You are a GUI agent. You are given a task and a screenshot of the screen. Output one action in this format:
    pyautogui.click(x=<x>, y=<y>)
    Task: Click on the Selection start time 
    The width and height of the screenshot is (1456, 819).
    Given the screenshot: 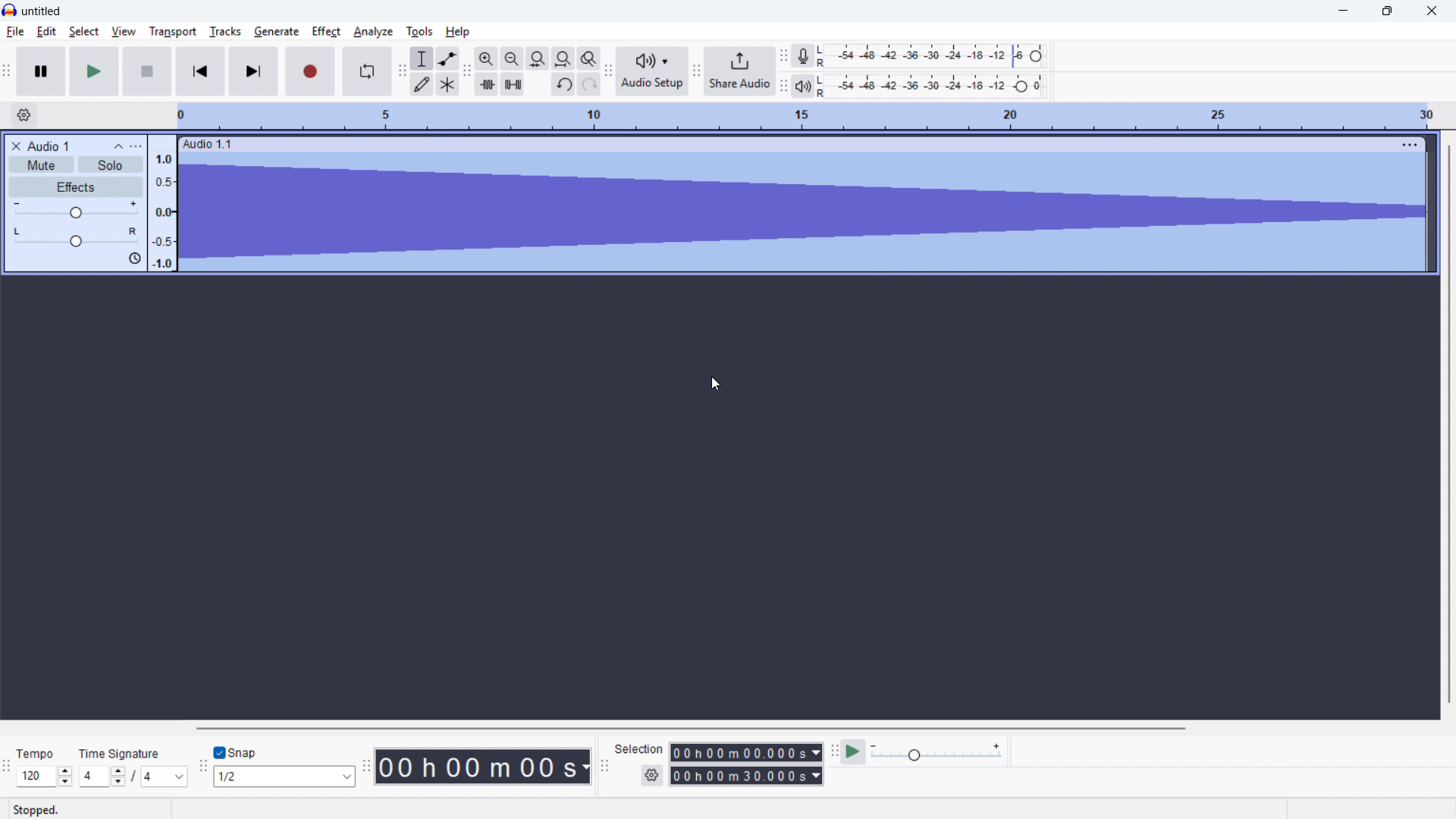 What is the action you would take?
    pyautogui.click(x=747, y=752)
    